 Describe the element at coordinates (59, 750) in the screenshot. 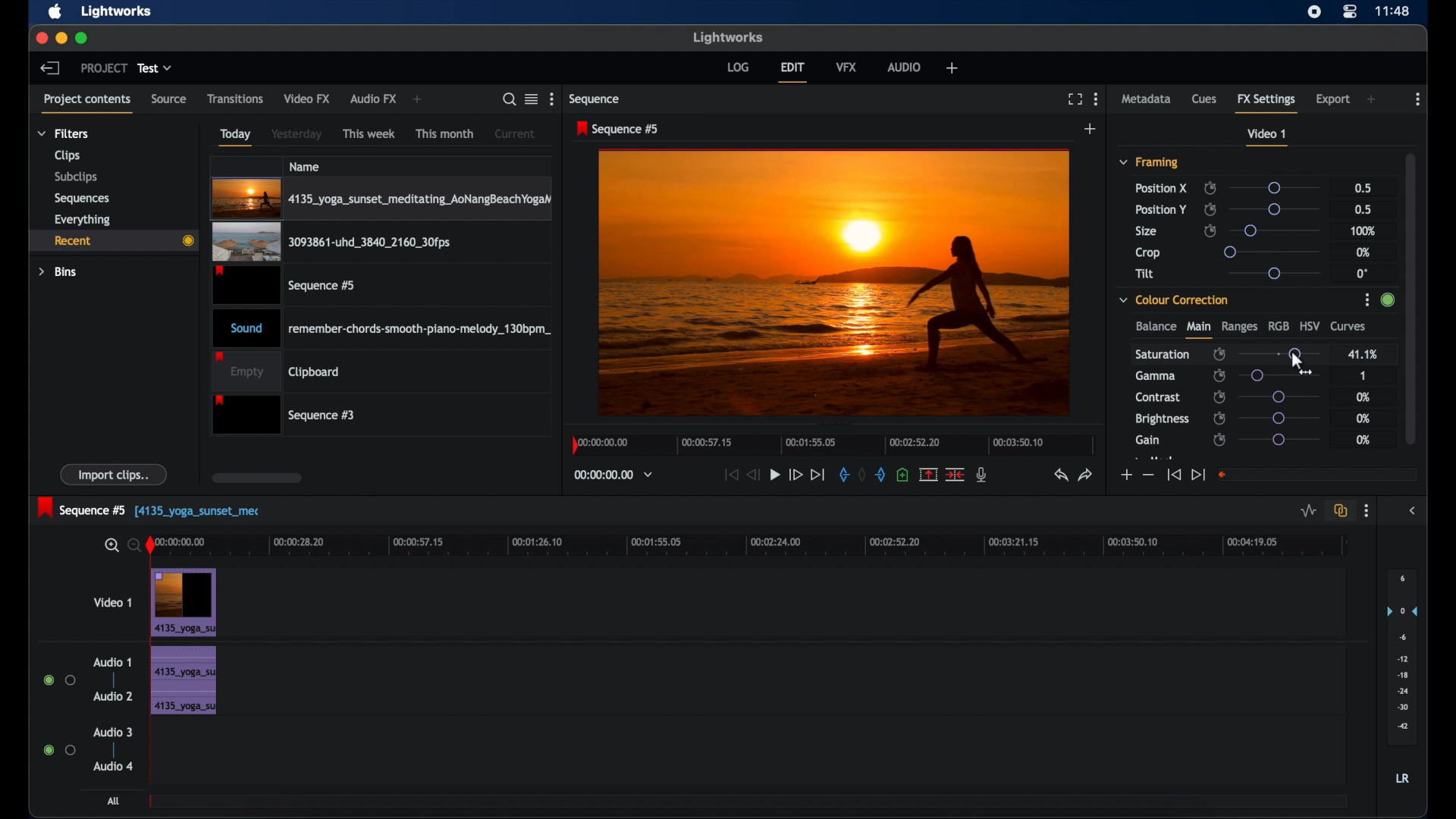

I see `radio buttons` at that location.